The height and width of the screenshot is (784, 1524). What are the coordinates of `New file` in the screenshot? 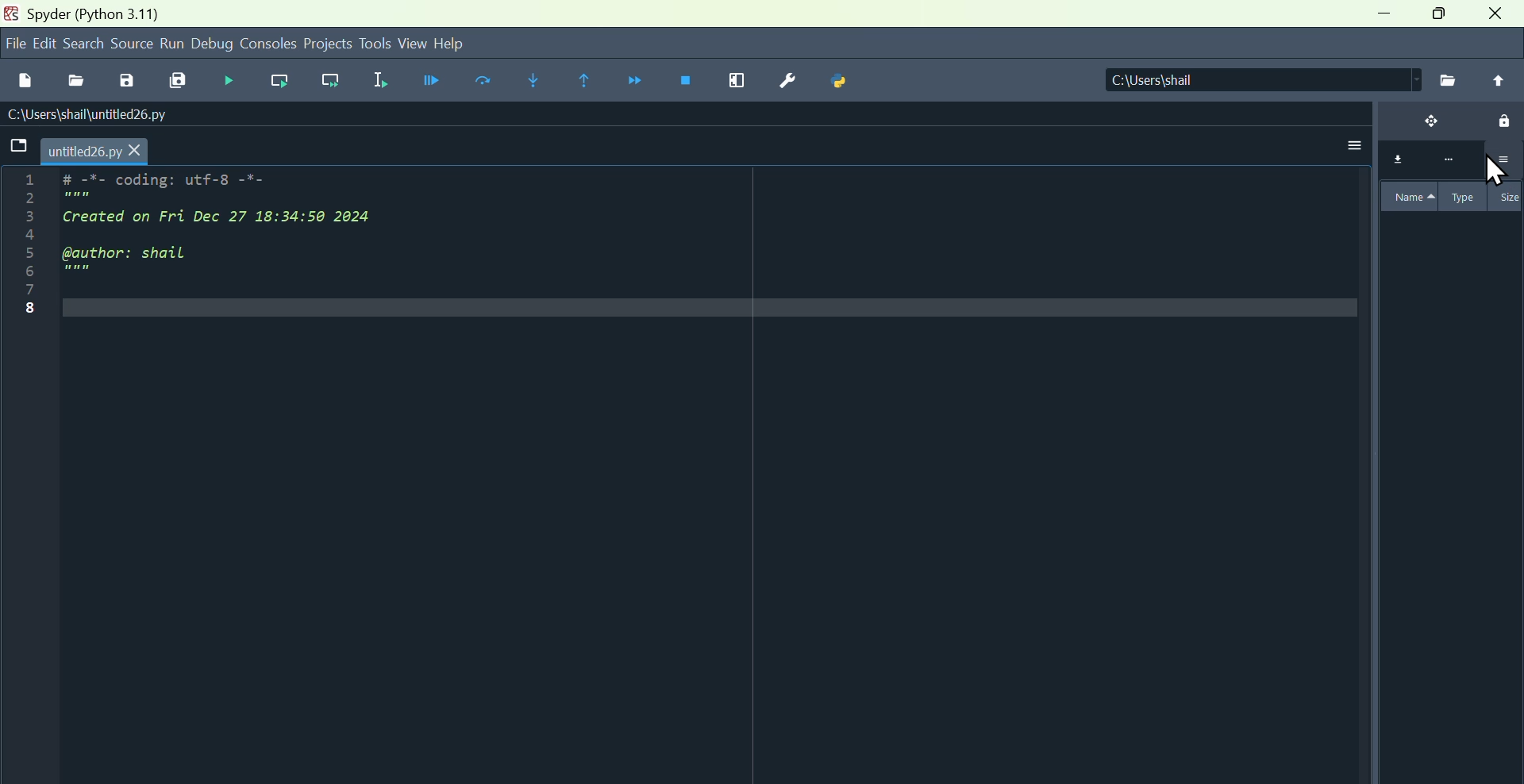 It's located at (25, 77).